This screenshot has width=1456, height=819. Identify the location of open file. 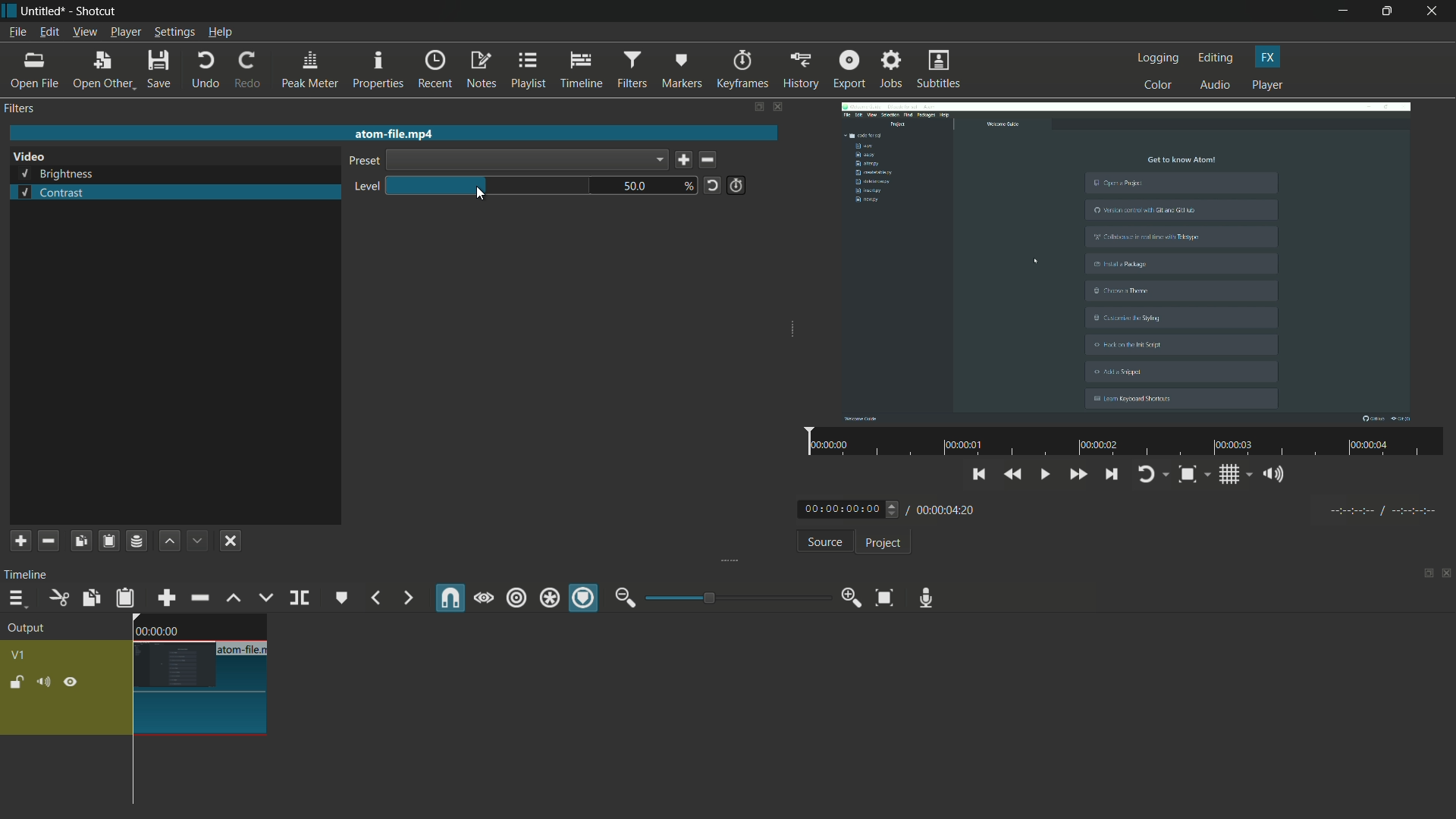
(36, 71).